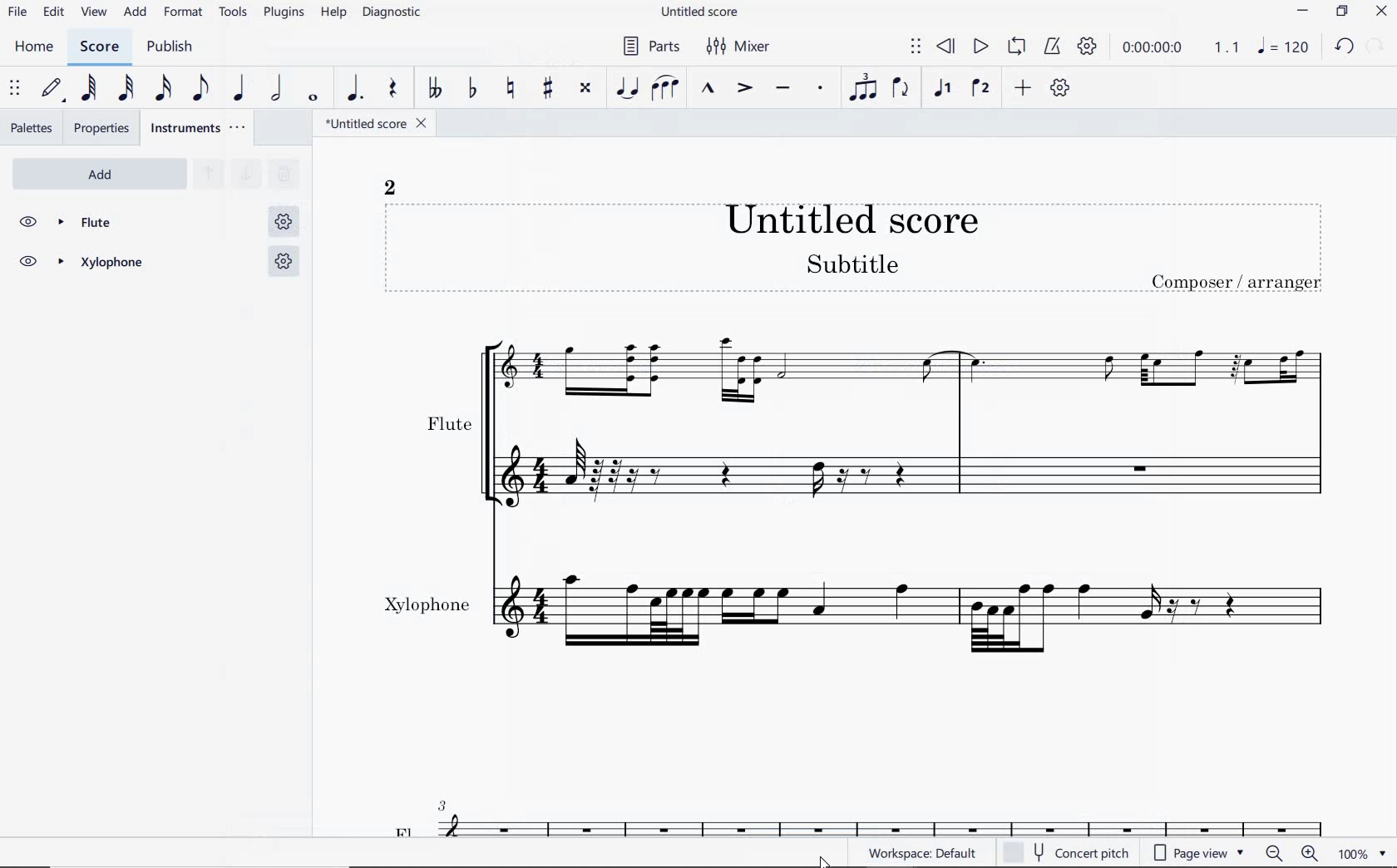  What do you see at coordinates (1067, 851) in the screenshot?
I see `concert pitch` at bounding box center [1067, 851].